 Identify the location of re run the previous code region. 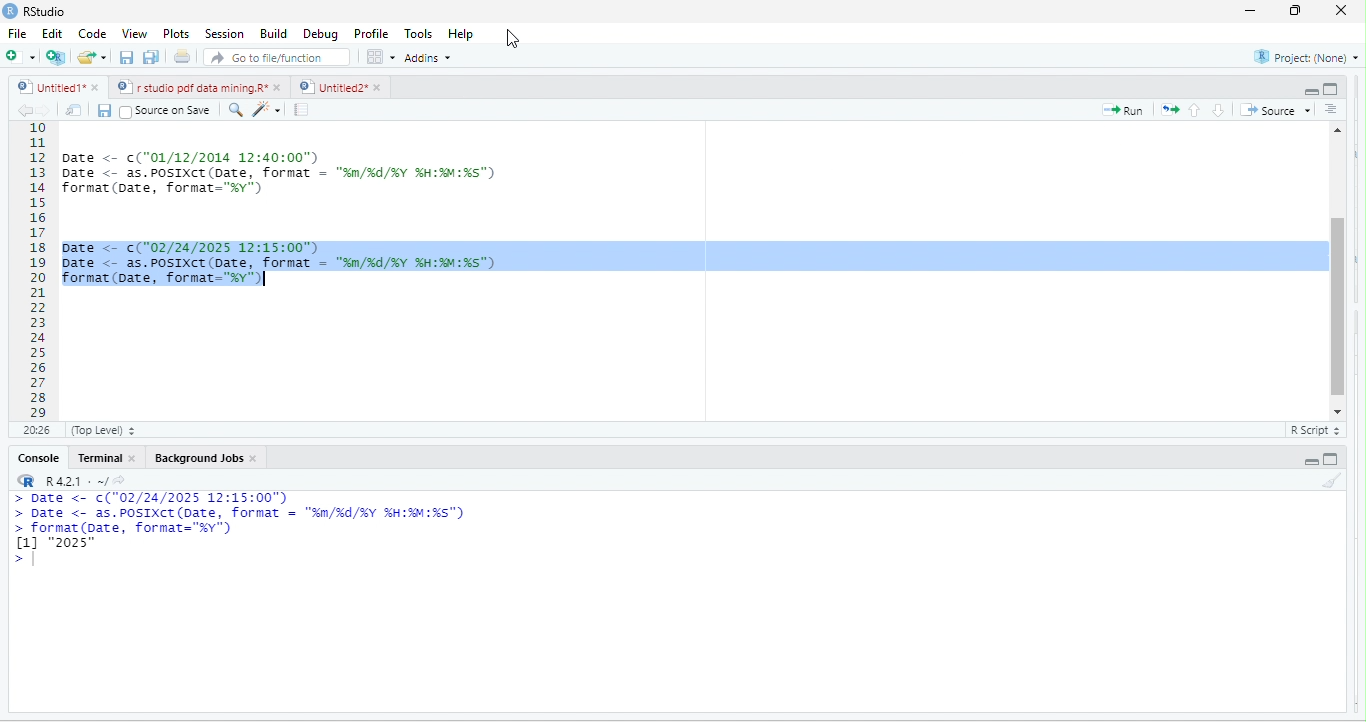
(1173, 108).